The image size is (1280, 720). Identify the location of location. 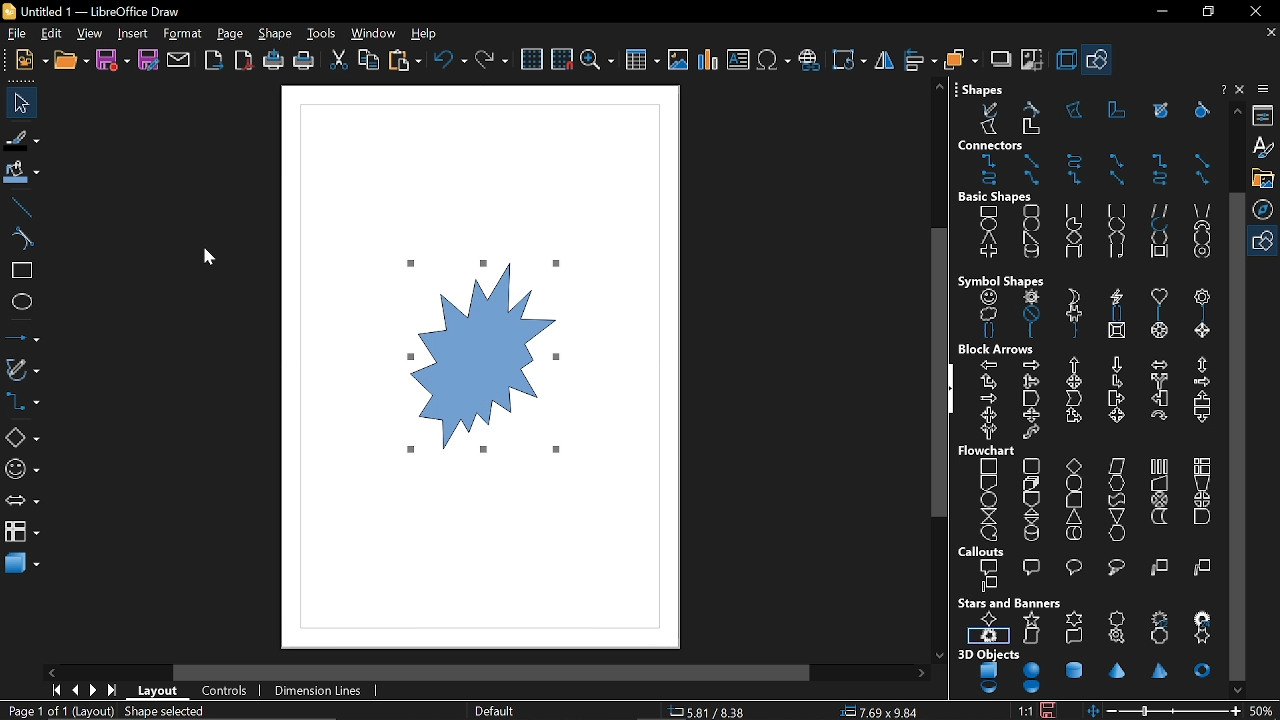
(882, 712).